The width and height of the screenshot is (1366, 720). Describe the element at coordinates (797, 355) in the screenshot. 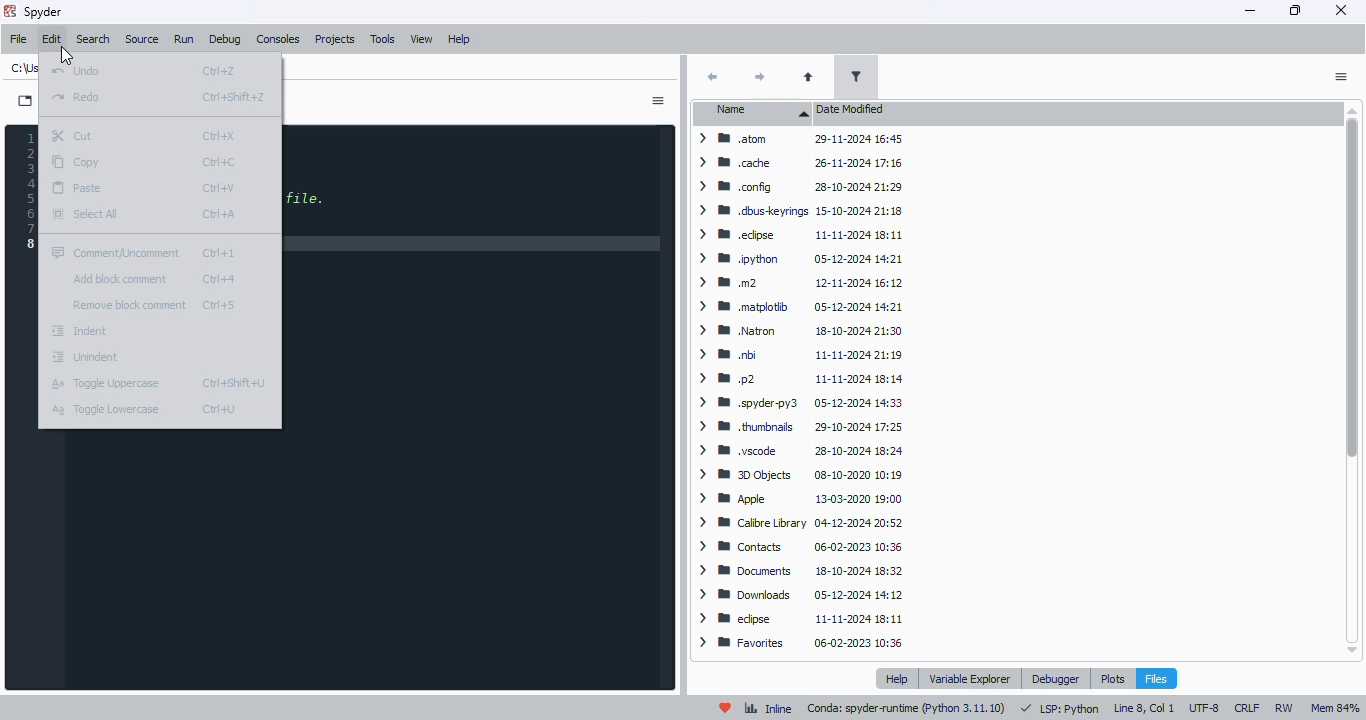

I see `> Mobi 11-11-2024 21:19` at that location.